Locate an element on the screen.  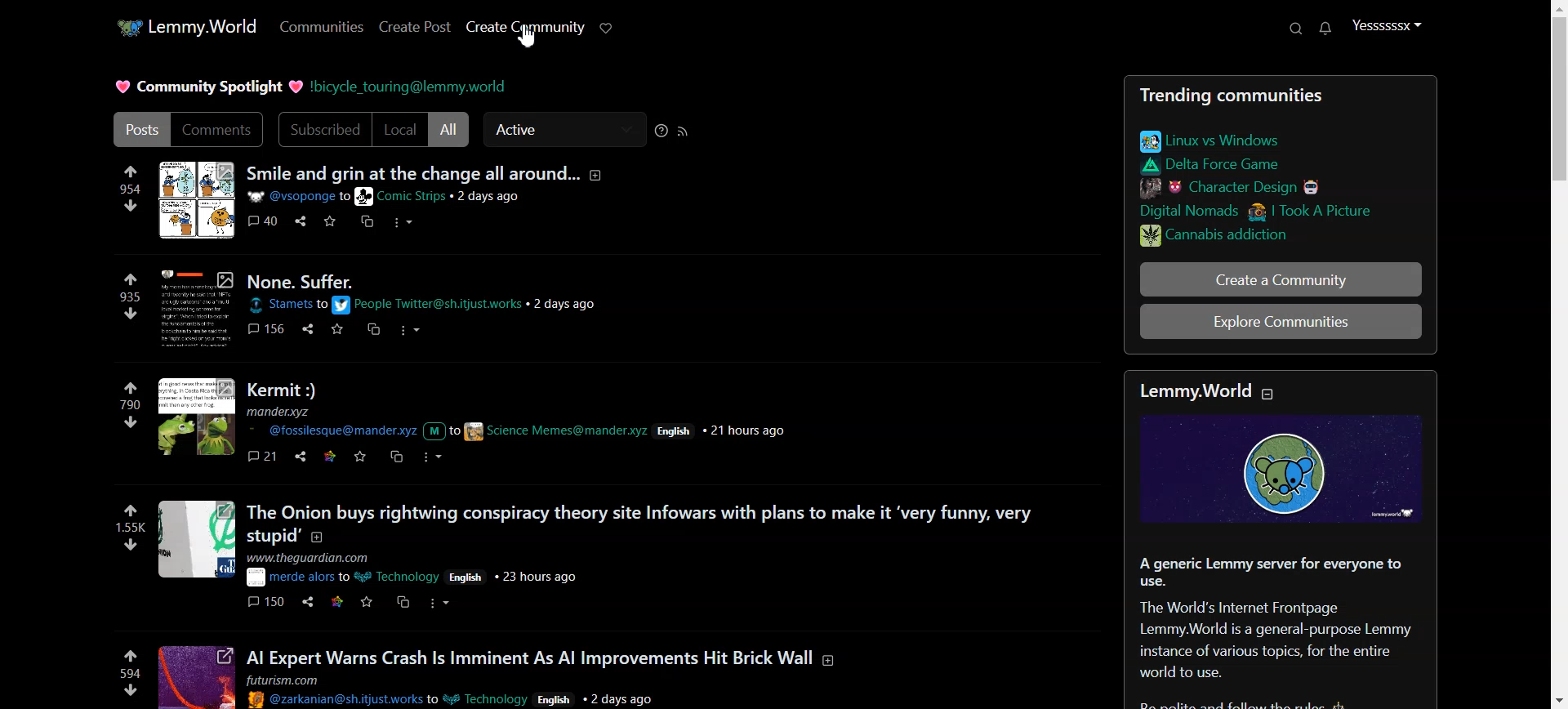
link is located at coordinates (1214, 165).